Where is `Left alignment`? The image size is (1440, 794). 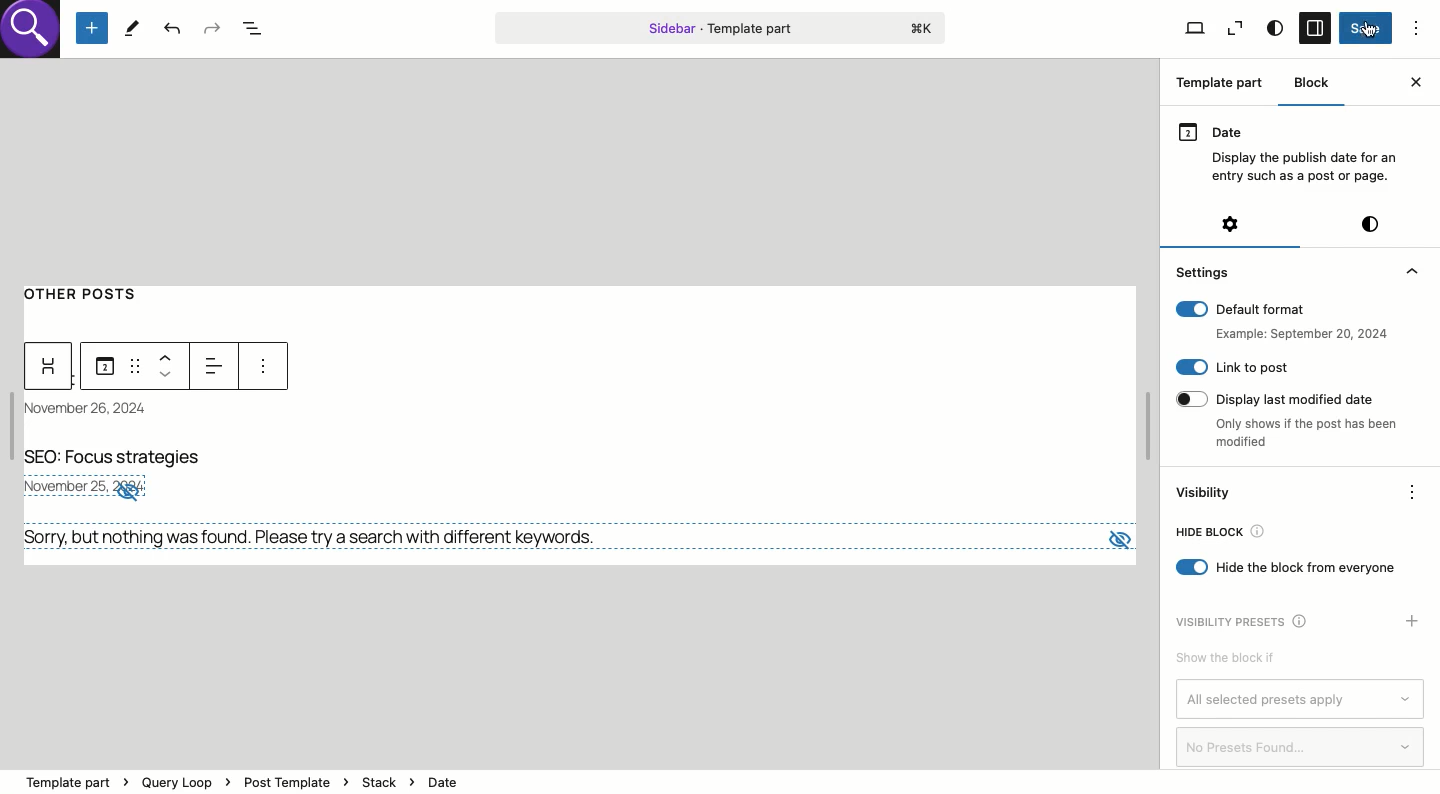
Left alignment is located at coordinates (217, 363).